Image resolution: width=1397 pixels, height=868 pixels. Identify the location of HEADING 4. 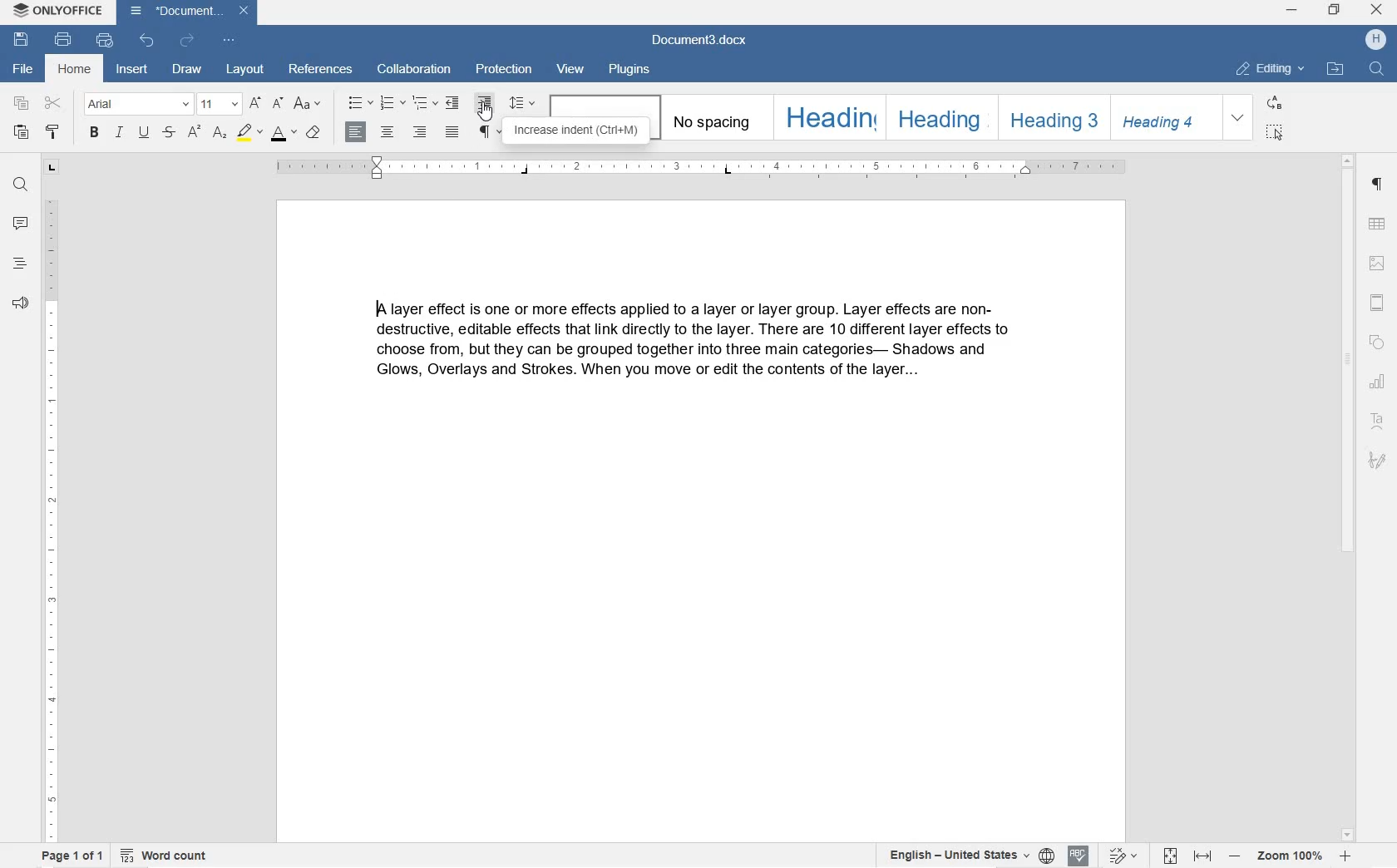
(1165, 118).